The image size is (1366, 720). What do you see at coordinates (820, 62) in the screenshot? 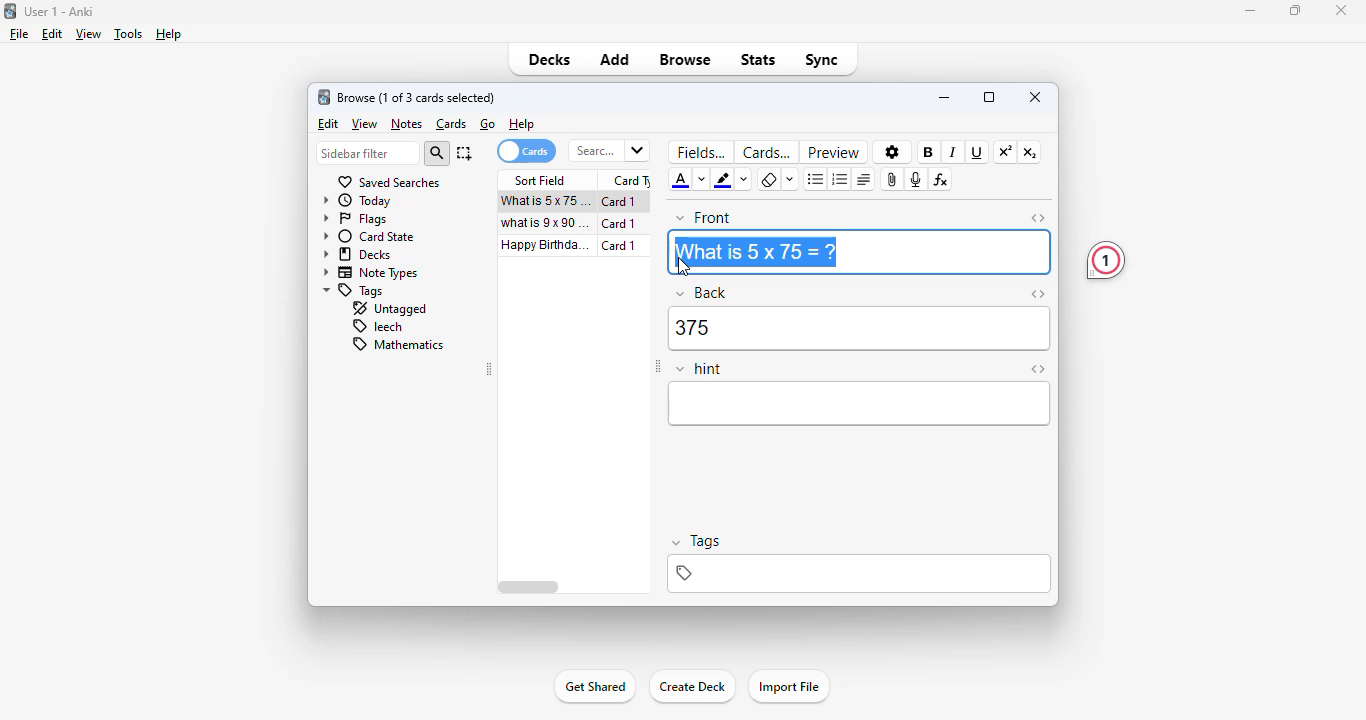
I see `sync` at bounding box center [820, 62].